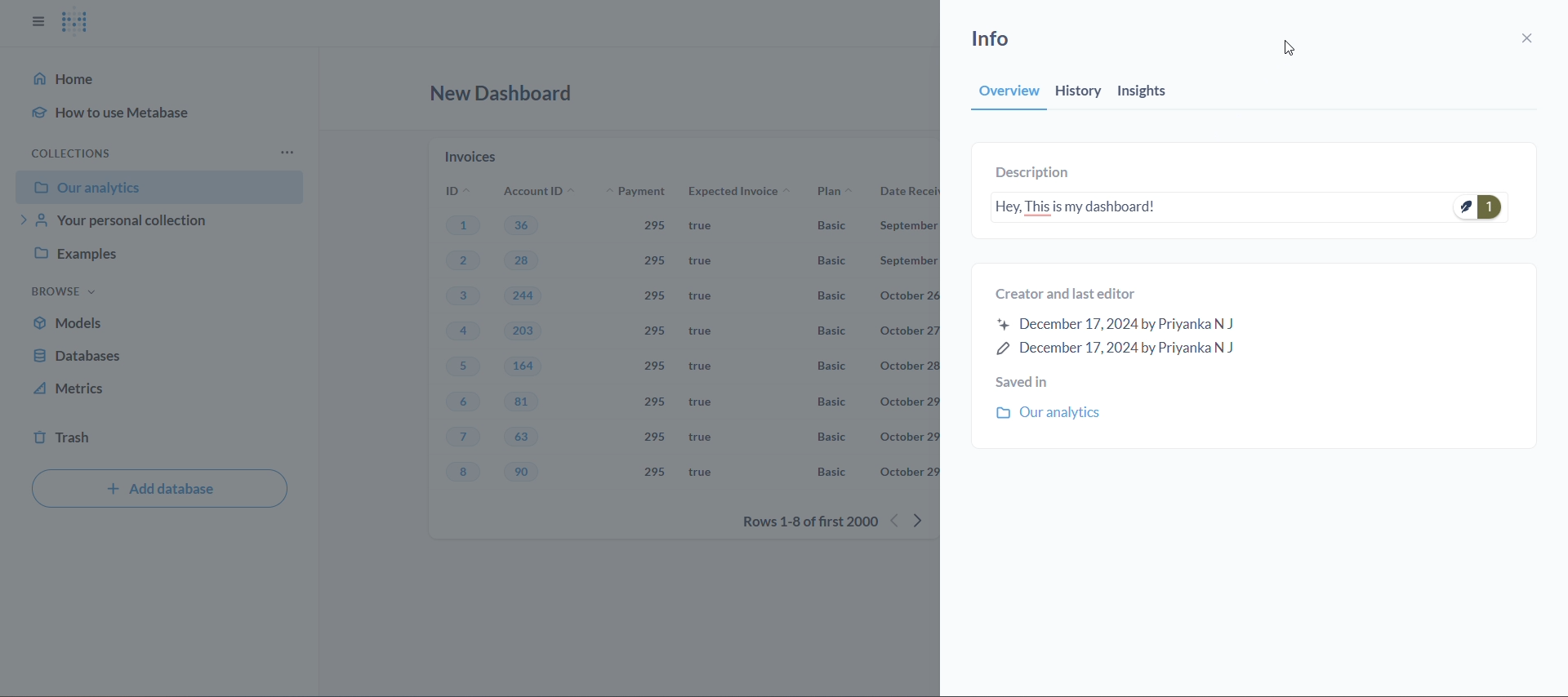  What do you see at coordinates (73, 24) in the screenshot?
I see `logo` at bounding box center [73, 24].